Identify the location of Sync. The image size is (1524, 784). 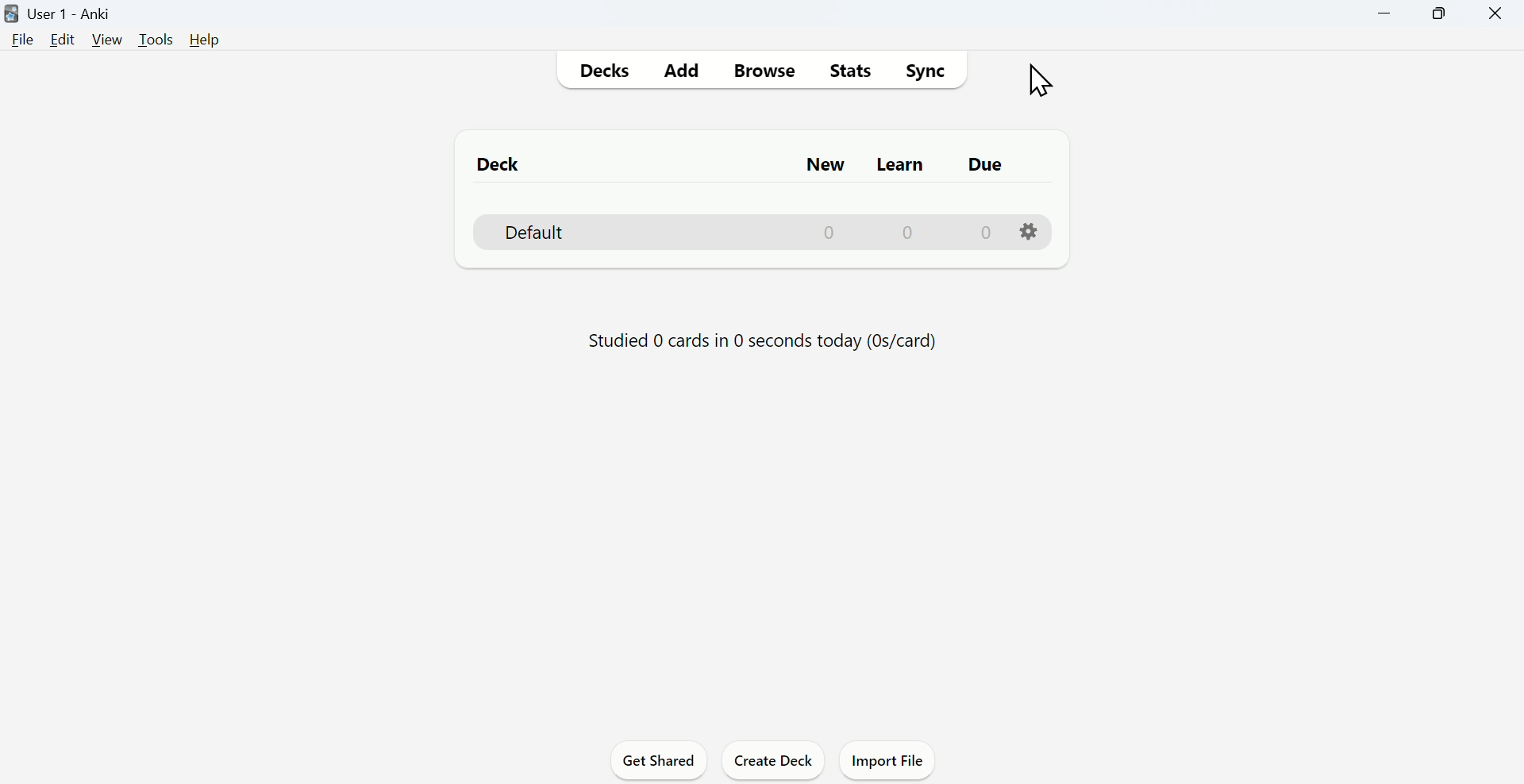
(922, 71).